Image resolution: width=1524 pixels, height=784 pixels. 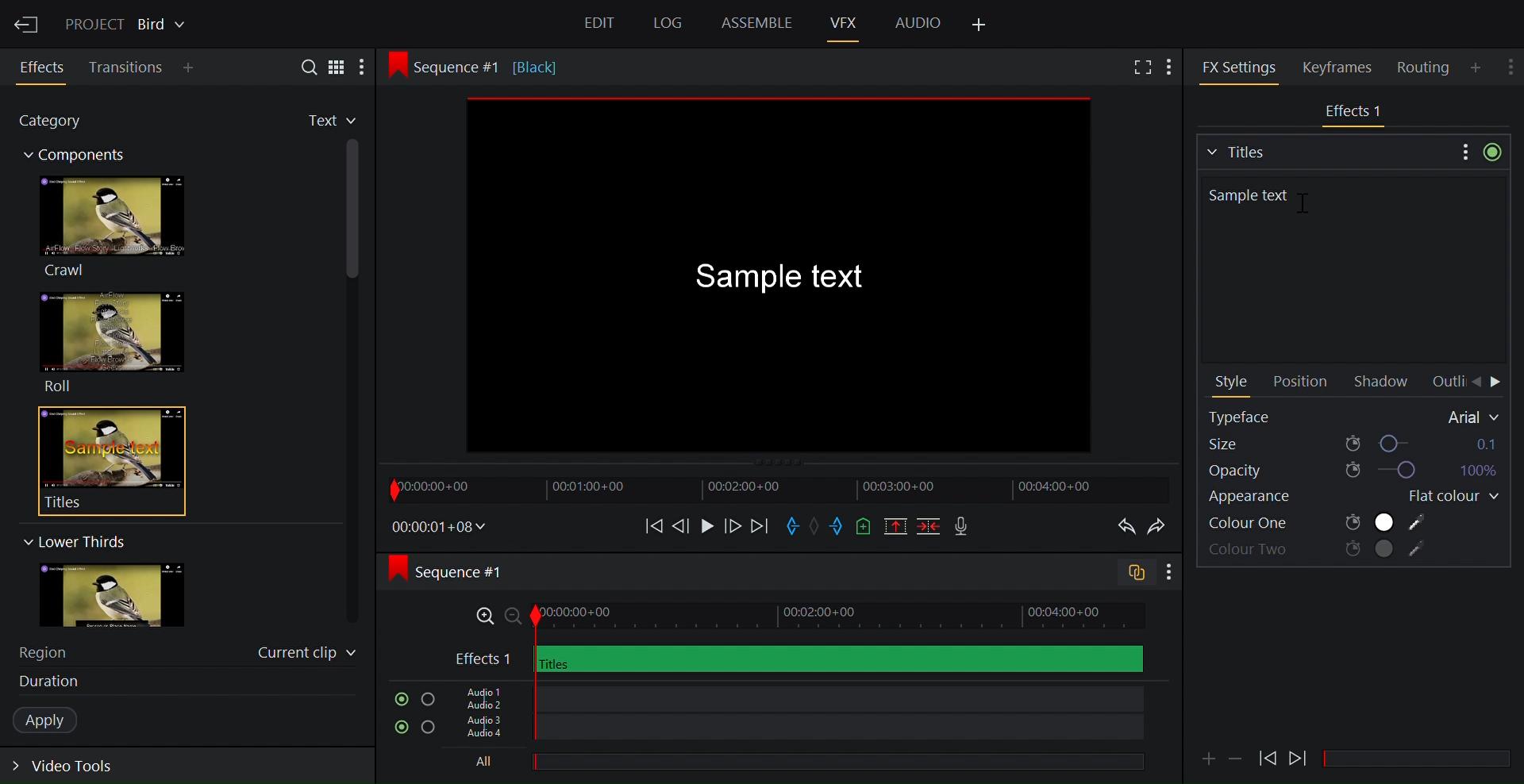 What do you see at coordinates (1353, 443) in the screenshot?
I see `Size` at bounding box center [1353, 443].